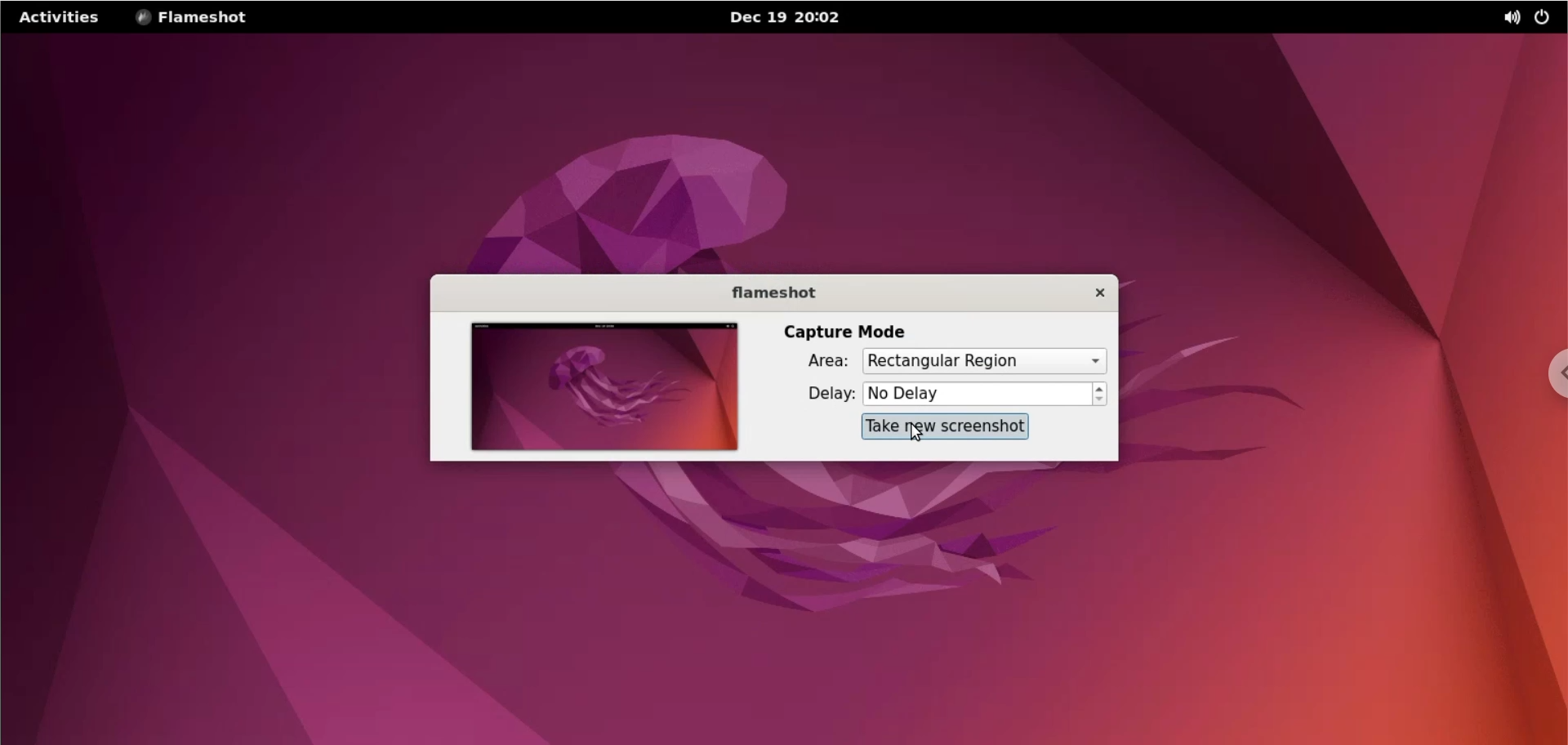  I want to click on  select capture area option, so click(991, 362).